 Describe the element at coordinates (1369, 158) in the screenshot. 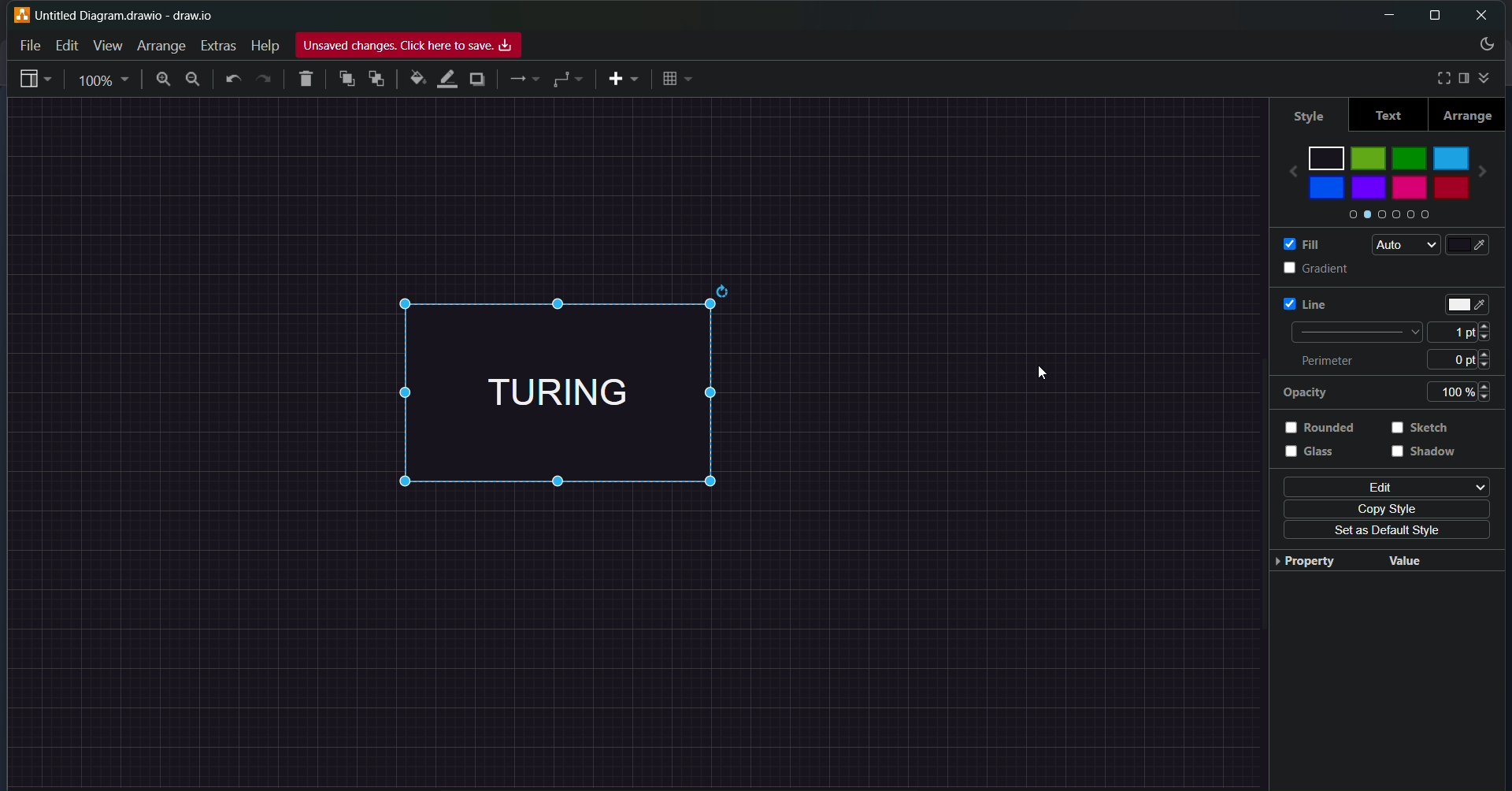

I see `light green` at that location.